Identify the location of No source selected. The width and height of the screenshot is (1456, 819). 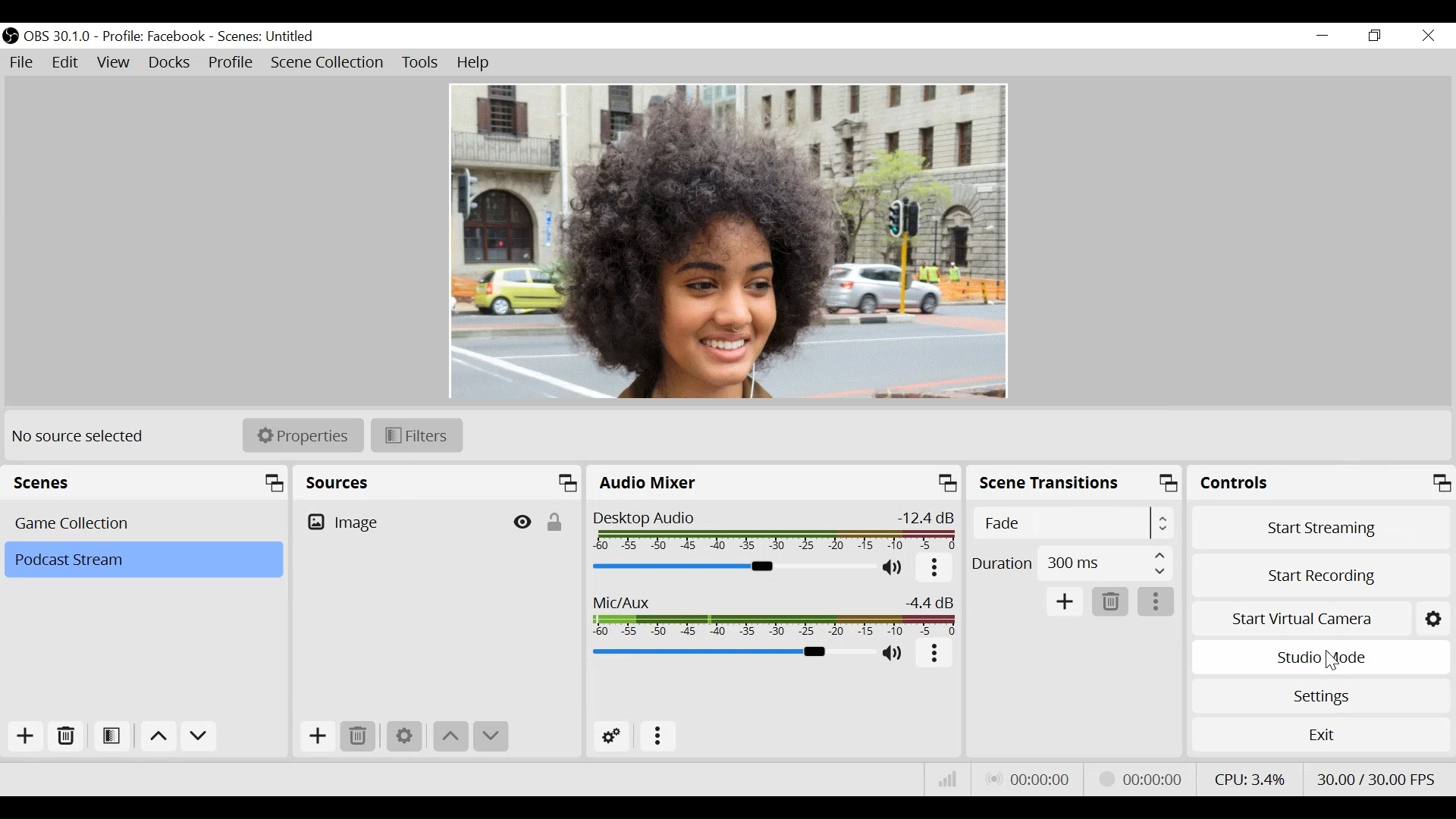
(83, 436).